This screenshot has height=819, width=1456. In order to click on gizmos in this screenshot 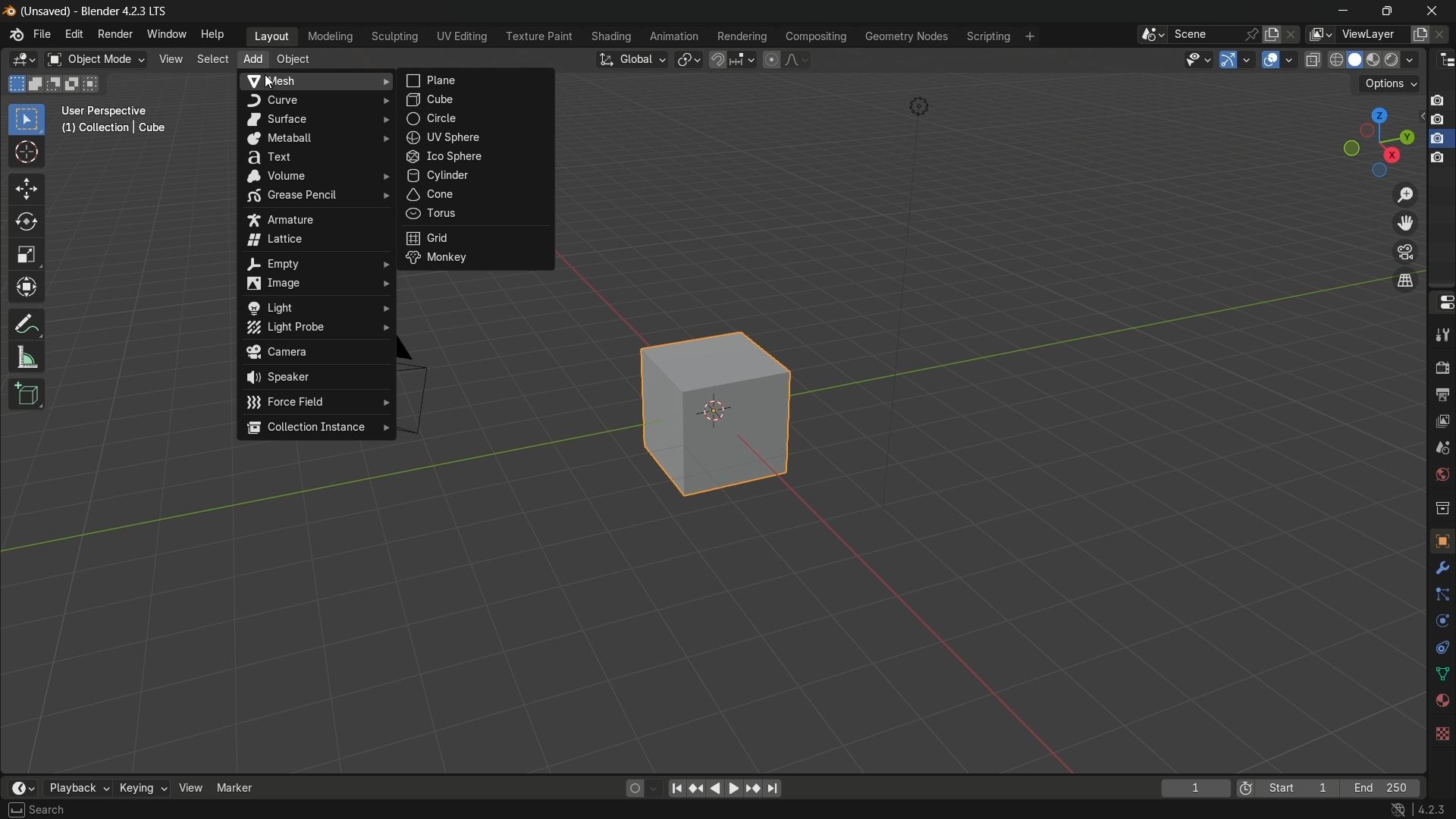, I will do `click(1247, 58)`.